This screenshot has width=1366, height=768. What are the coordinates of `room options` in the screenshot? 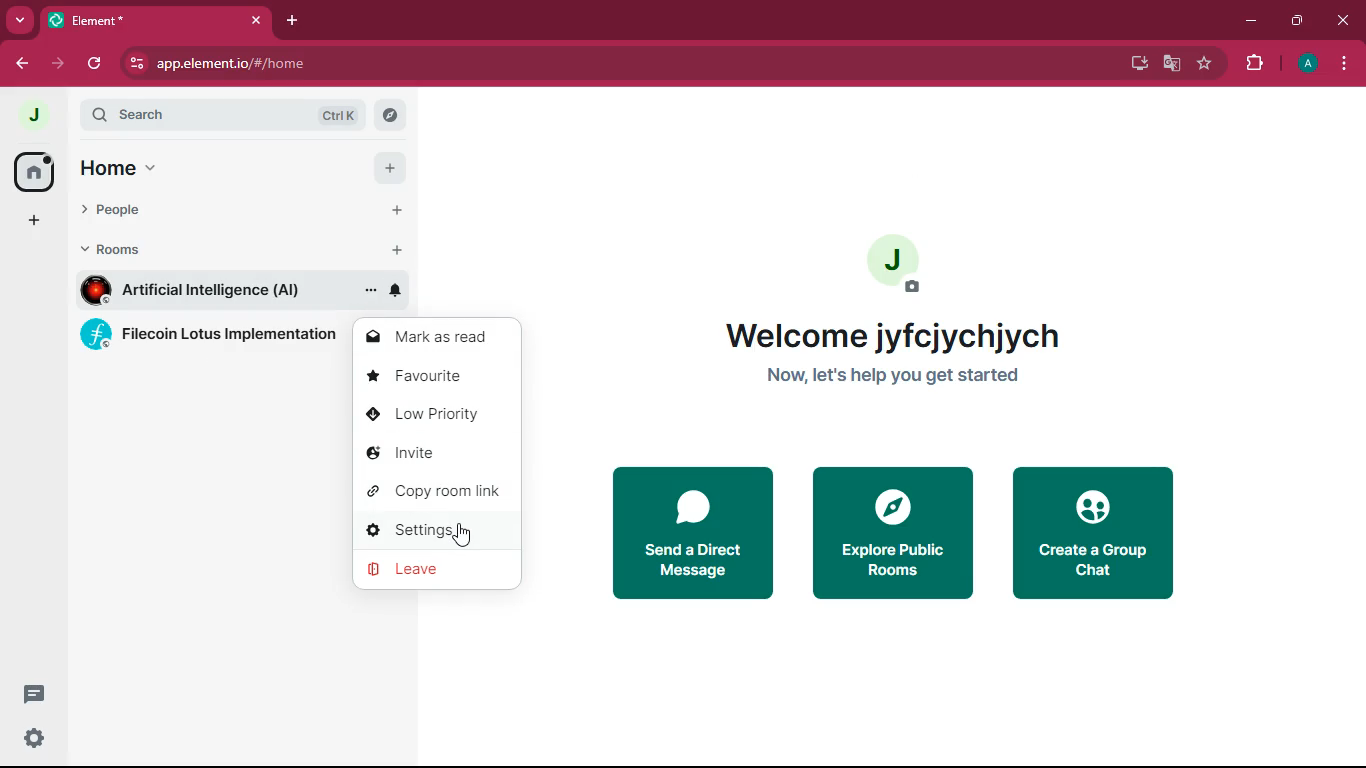 It's located at (367, 296).